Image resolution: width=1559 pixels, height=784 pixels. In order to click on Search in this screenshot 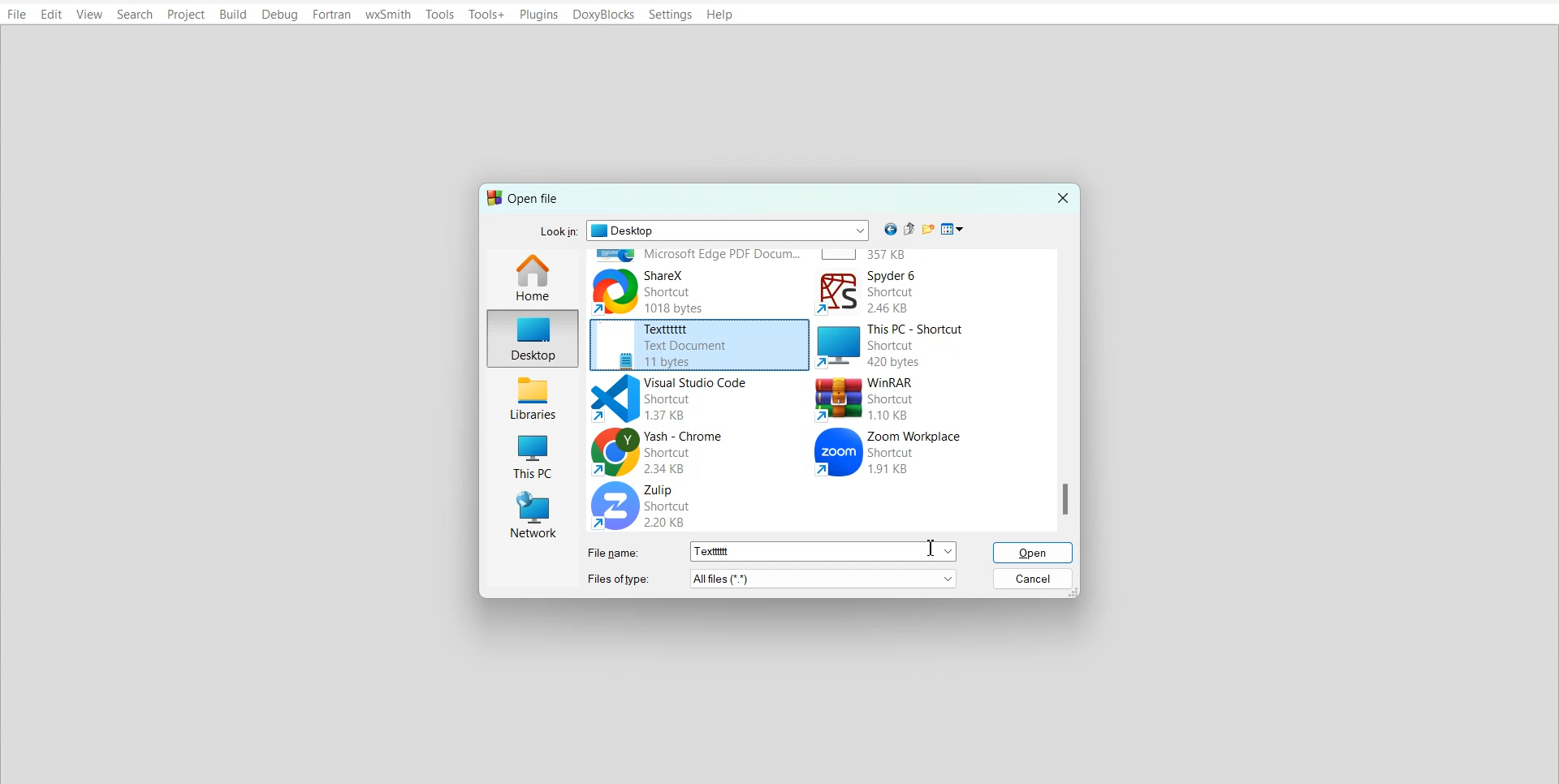, I will do `click(136, 14)`.